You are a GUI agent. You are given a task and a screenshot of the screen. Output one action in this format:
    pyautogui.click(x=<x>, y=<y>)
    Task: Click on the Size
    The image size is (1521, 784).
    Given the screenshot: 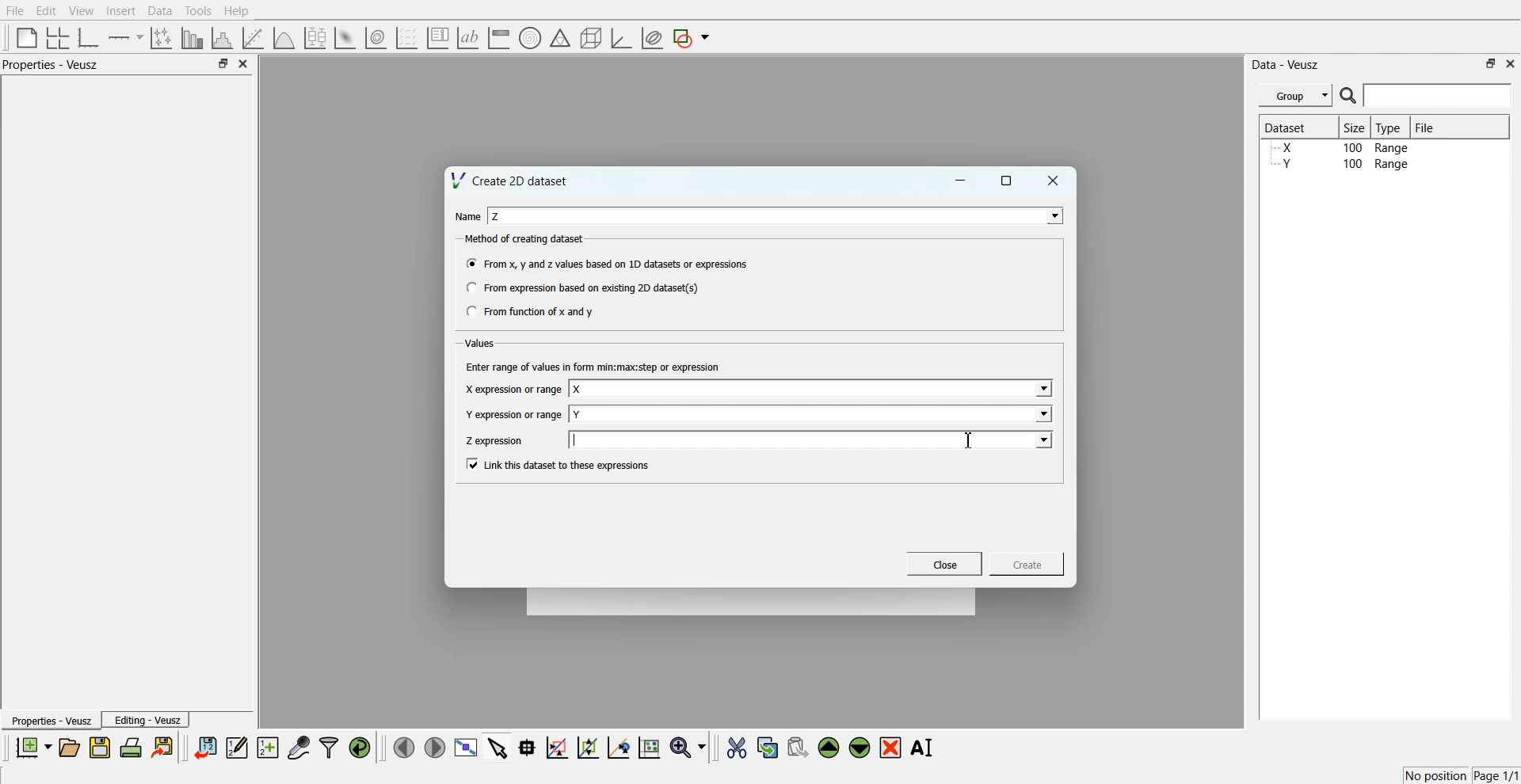 What is the action you would take?
    pyautogui.click(x=1355, y=127)
    